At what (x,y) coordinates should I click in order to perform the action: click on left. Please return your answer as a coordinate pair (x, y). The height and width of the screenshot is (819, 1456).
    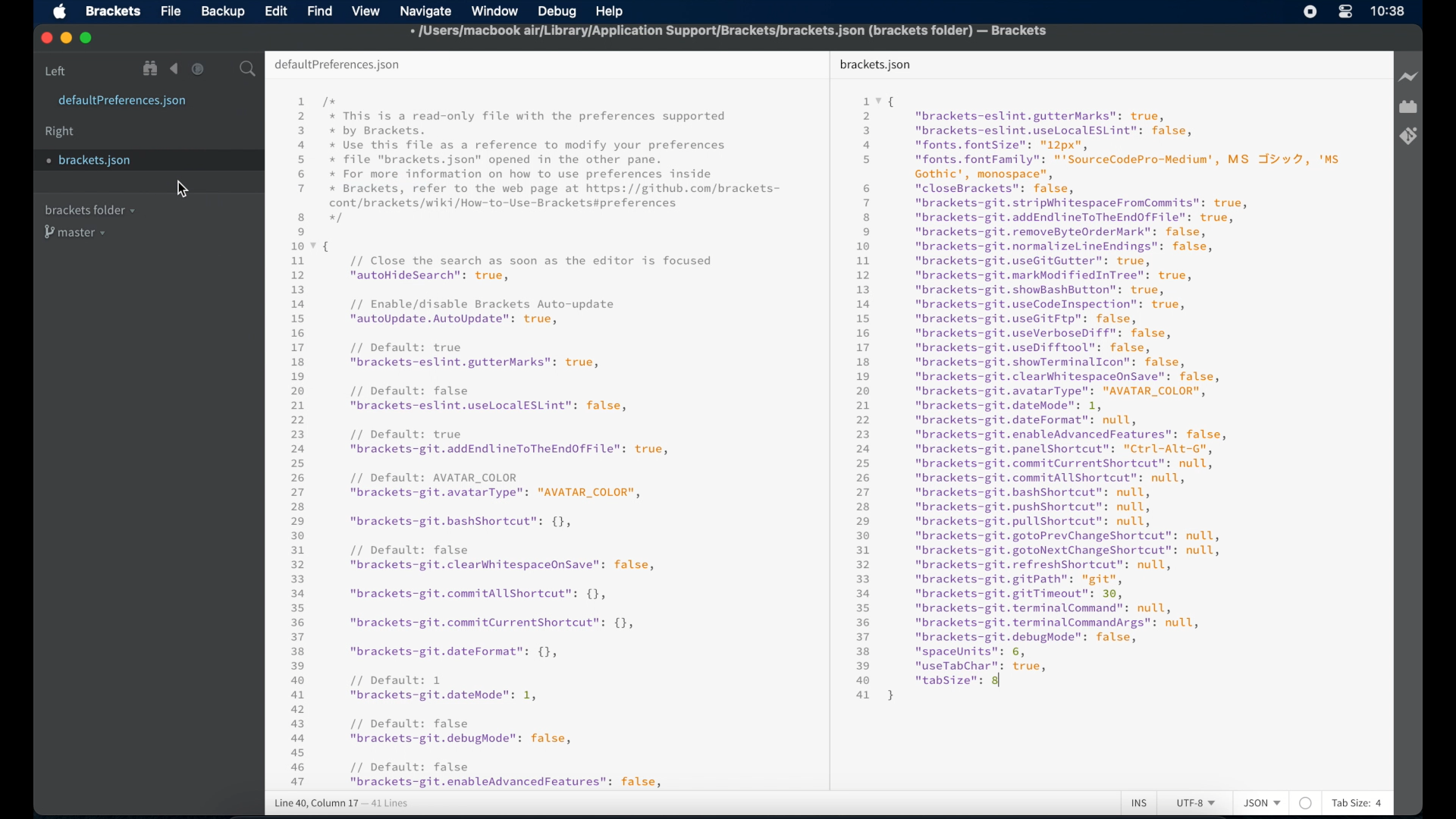
    Looking at the image, I should click on (56, 71).